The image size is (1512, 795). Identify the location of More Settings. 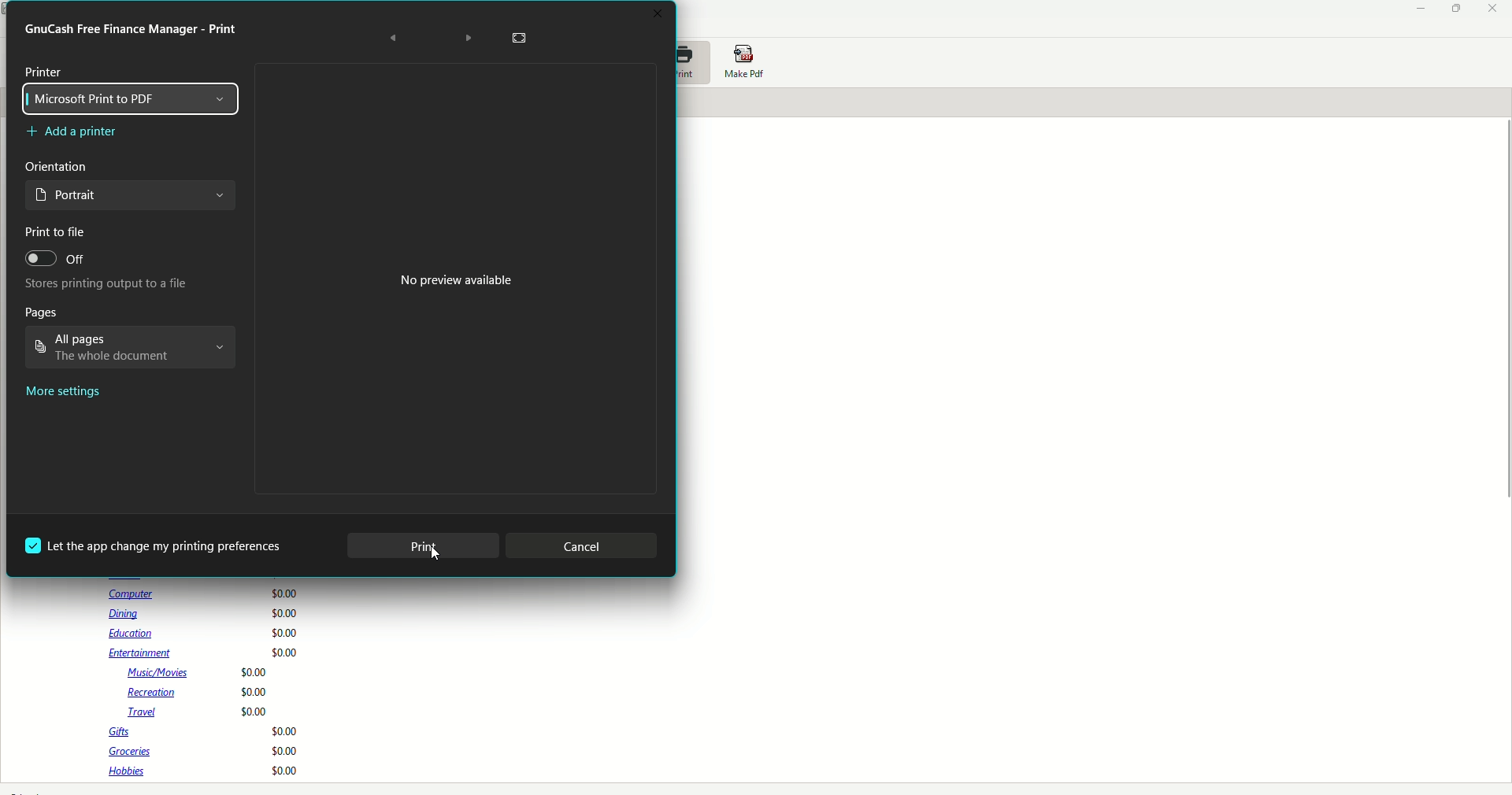
(65, 394).